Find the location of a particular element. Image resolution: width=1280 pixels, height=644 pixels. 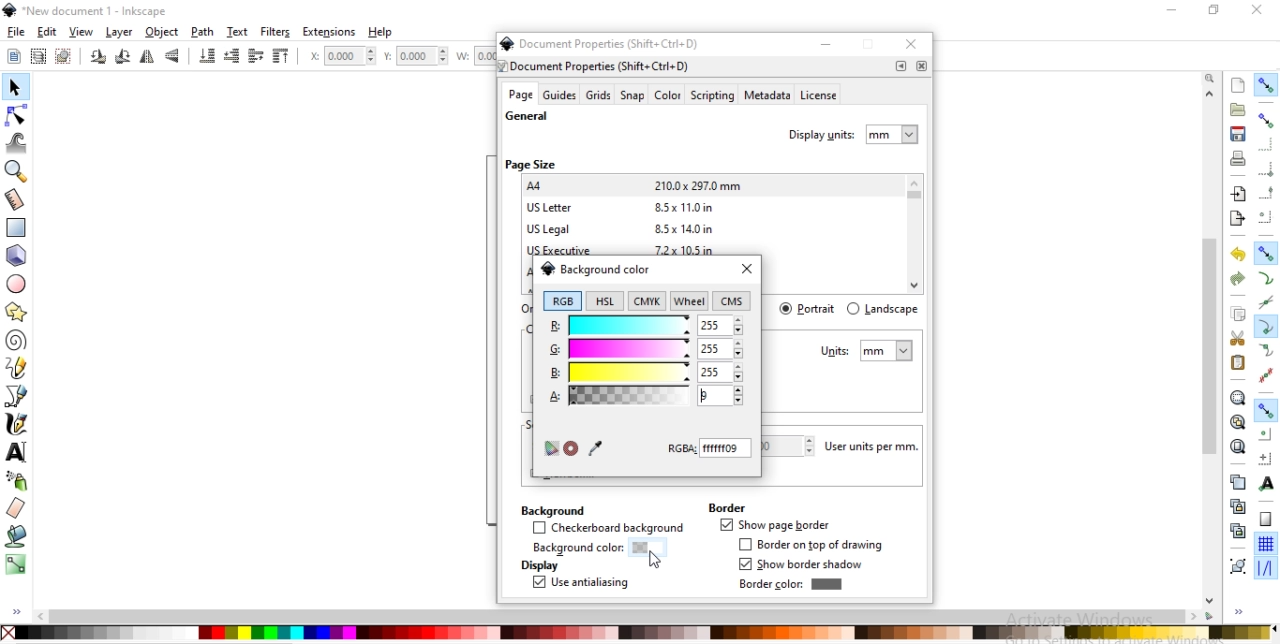

color is located at coordinates (638, 632).